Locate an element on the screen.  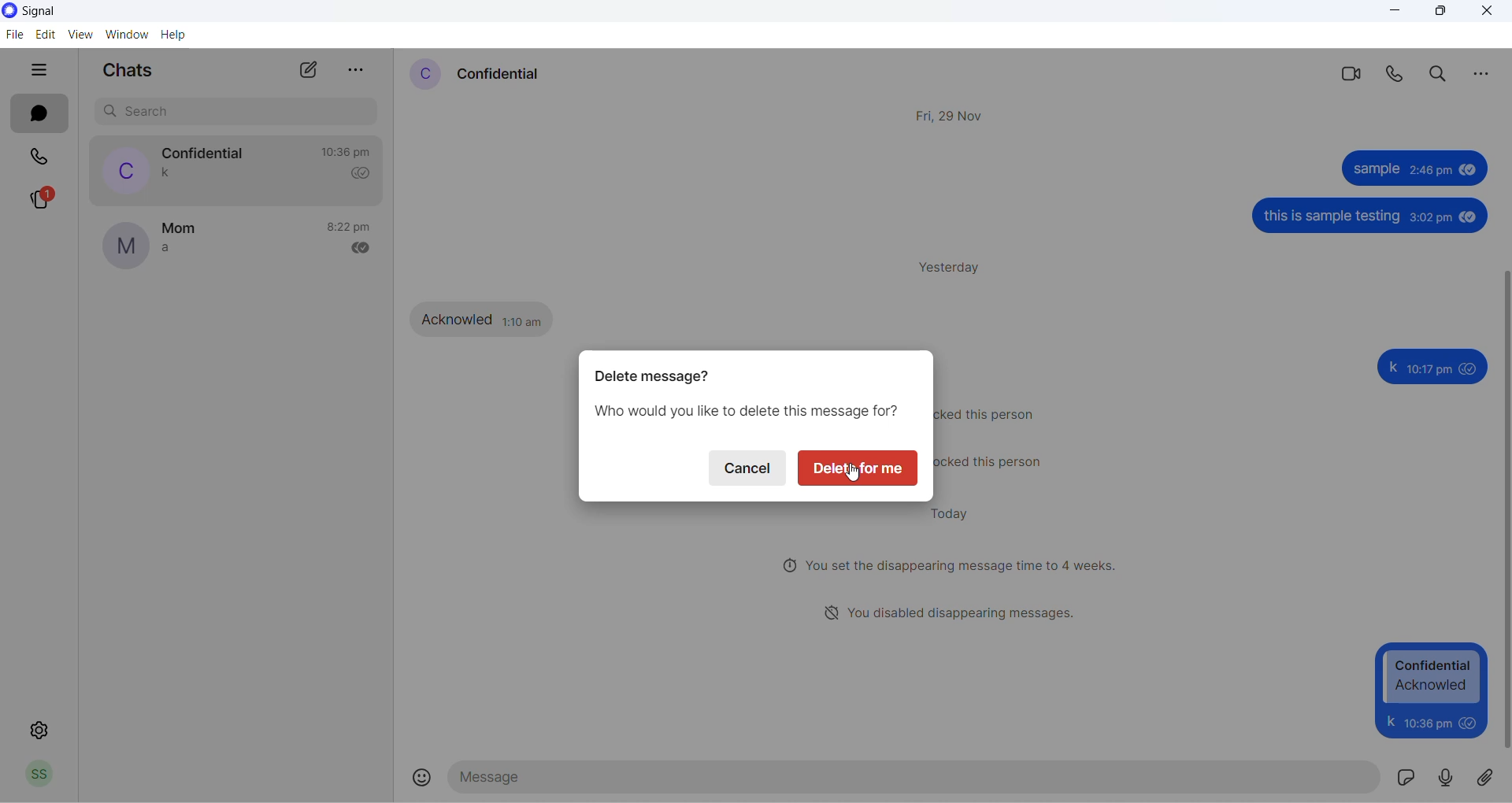
Acknowled is located at coordinates (454, 320).